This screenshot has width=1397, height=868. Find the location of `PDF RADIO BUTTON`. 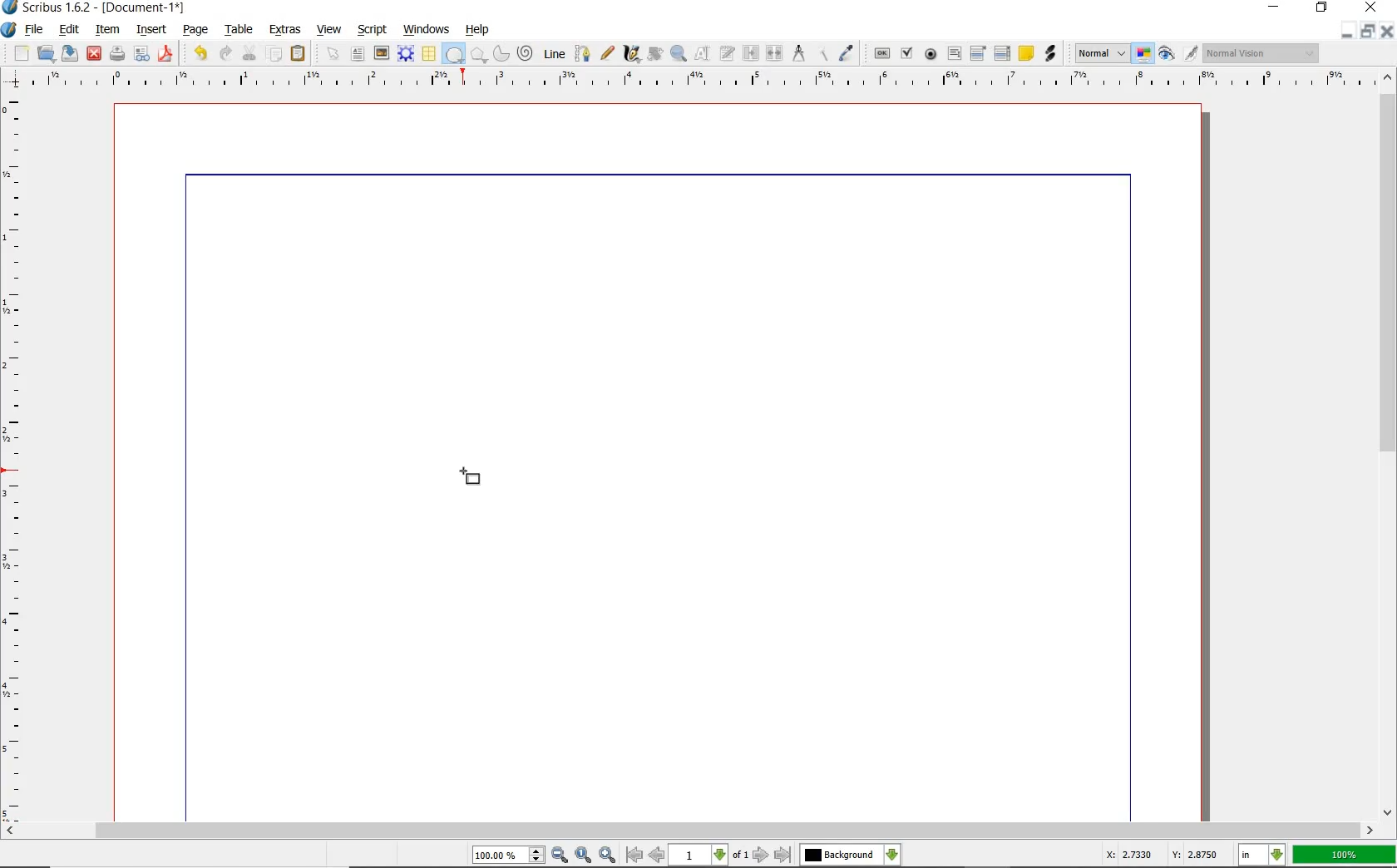

PDF RADIO BUTTON is located at coordinates (931, 53).